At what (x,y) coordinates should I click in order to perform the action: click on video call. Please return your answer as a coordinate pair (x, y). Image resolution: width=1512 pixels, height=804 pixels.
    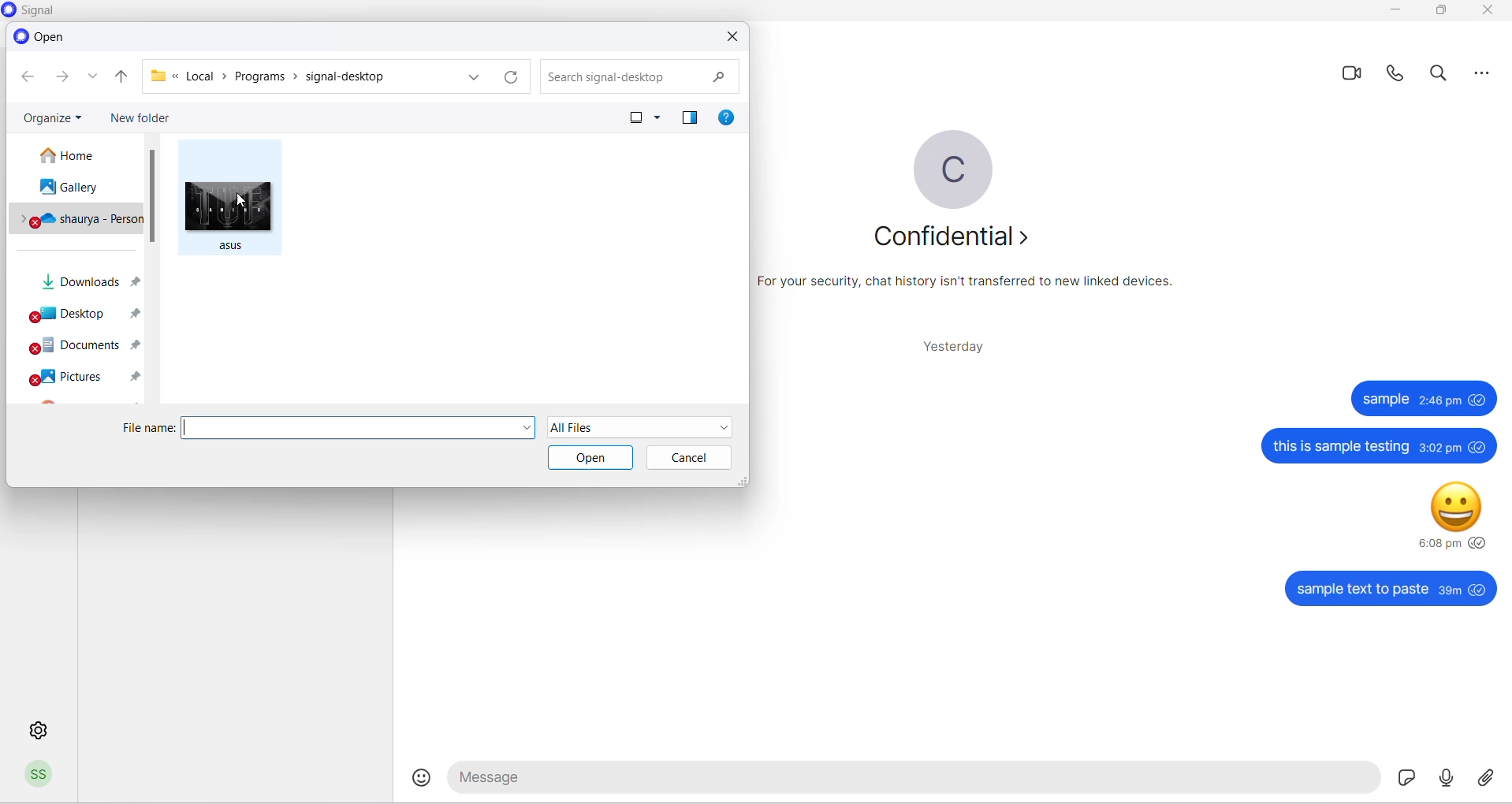
    Looking at the image, I should click on (1354, 74).